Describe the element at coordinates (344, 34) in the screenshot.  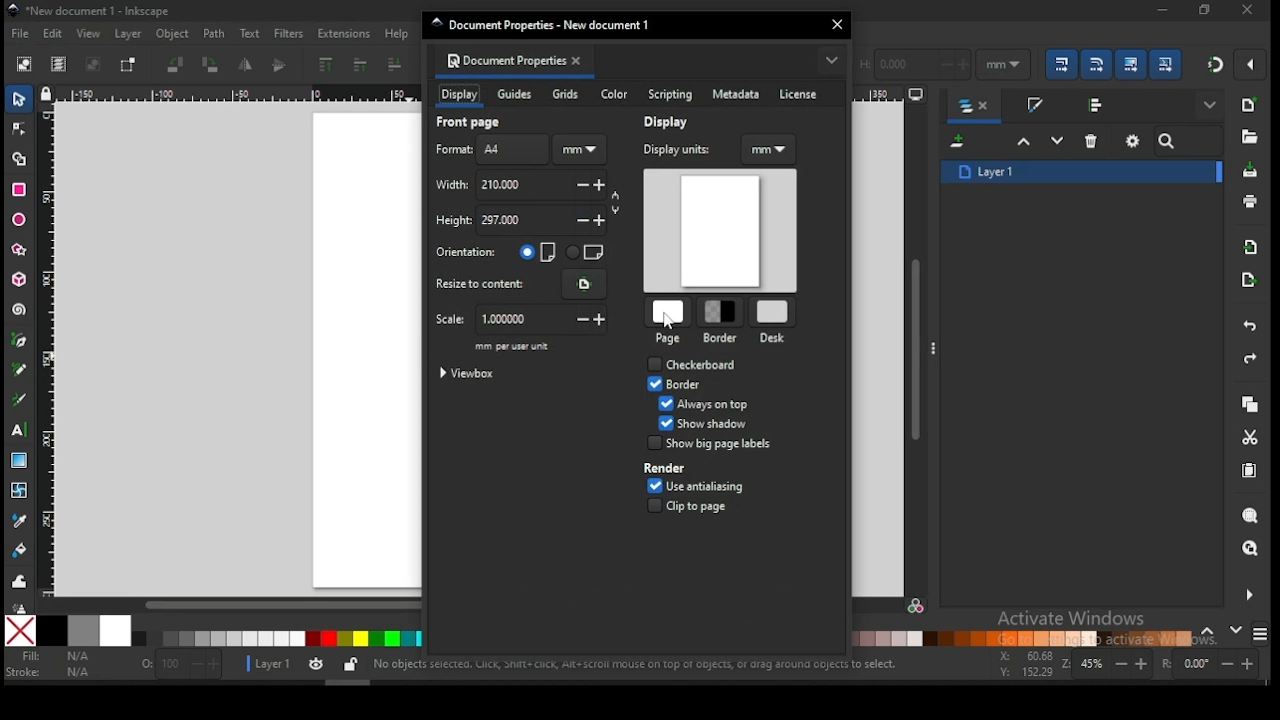
I see `extensions` at that location.